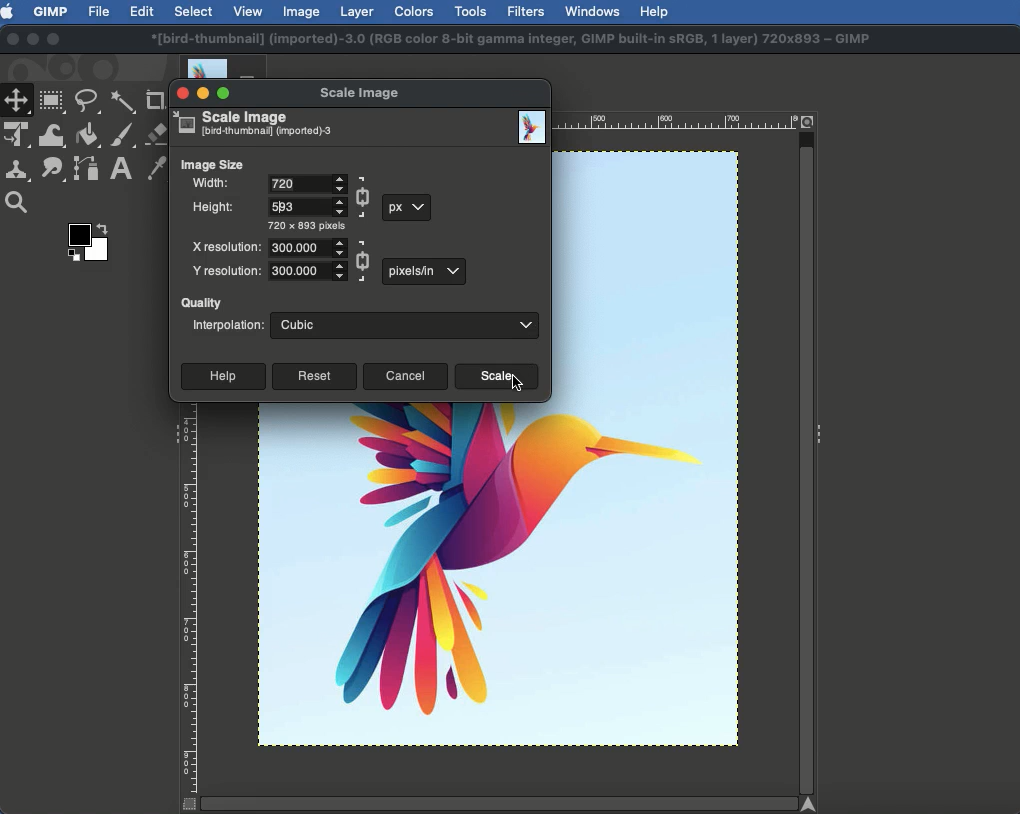 The height and width of the screenshot is (814, 1020). What do you see at coordinates (183, 93) in the screenshot?
I see `Close` at bounding box center [183, 93].